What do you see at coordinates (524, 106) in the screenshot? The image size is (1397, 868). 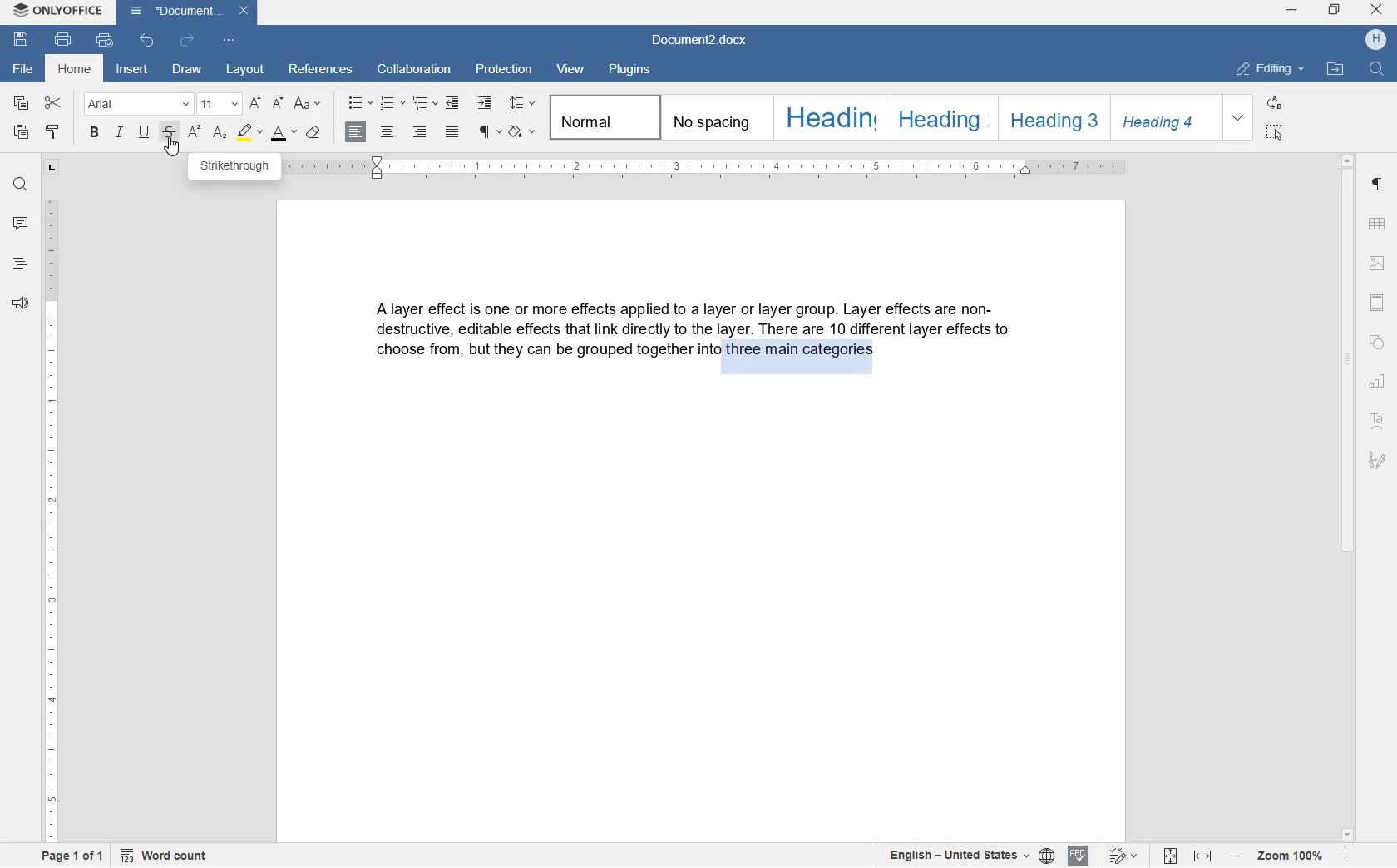 I see `paragraph line spacing` at bounding box center [524, 106].